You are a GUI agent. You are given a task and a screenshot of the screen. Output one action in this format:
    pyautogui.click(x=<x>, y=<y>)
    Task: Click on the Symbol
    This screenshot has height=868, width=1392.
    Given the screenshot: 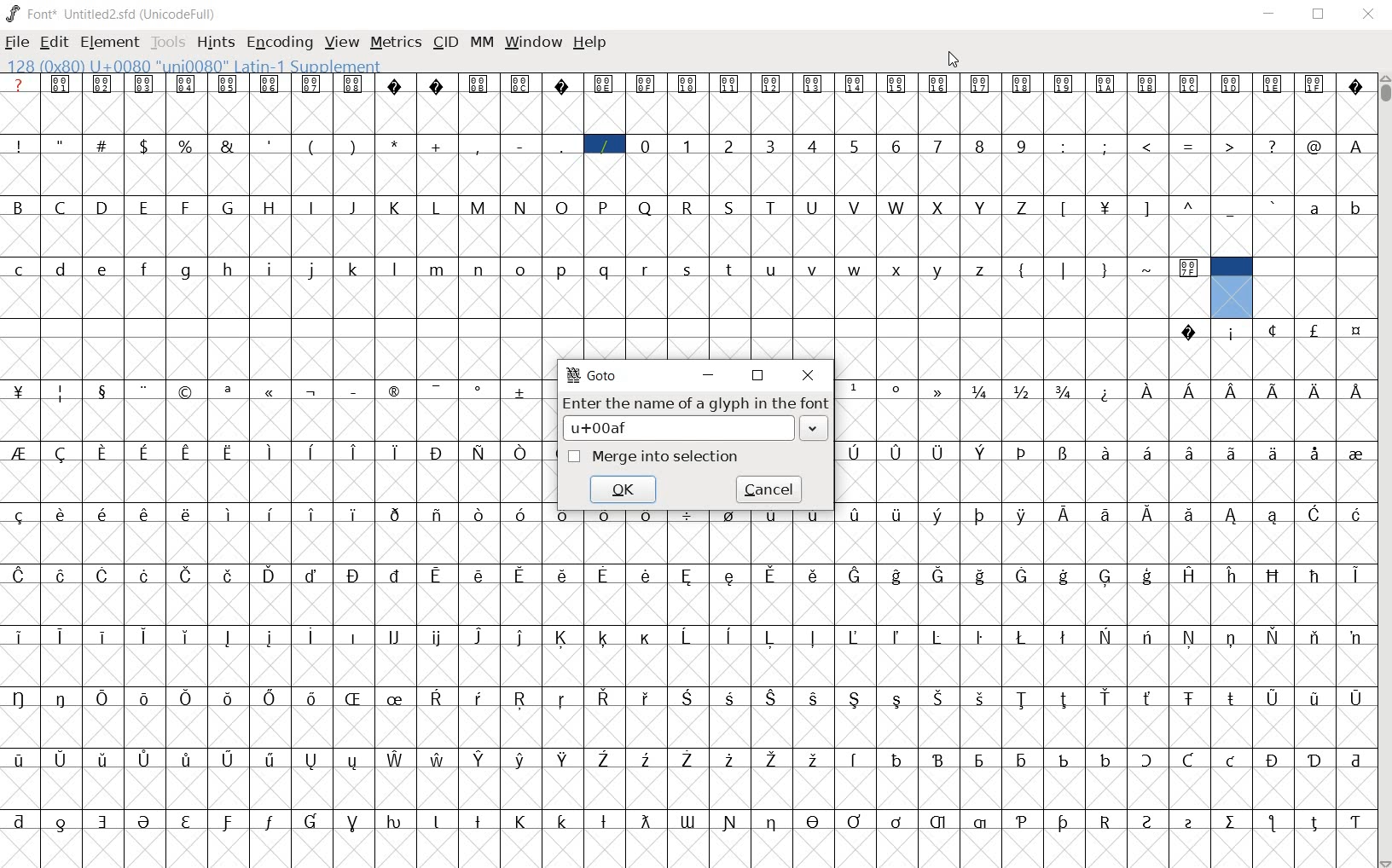 What is the action you would take?
    pyautogui.click(x=395, y=451)
    